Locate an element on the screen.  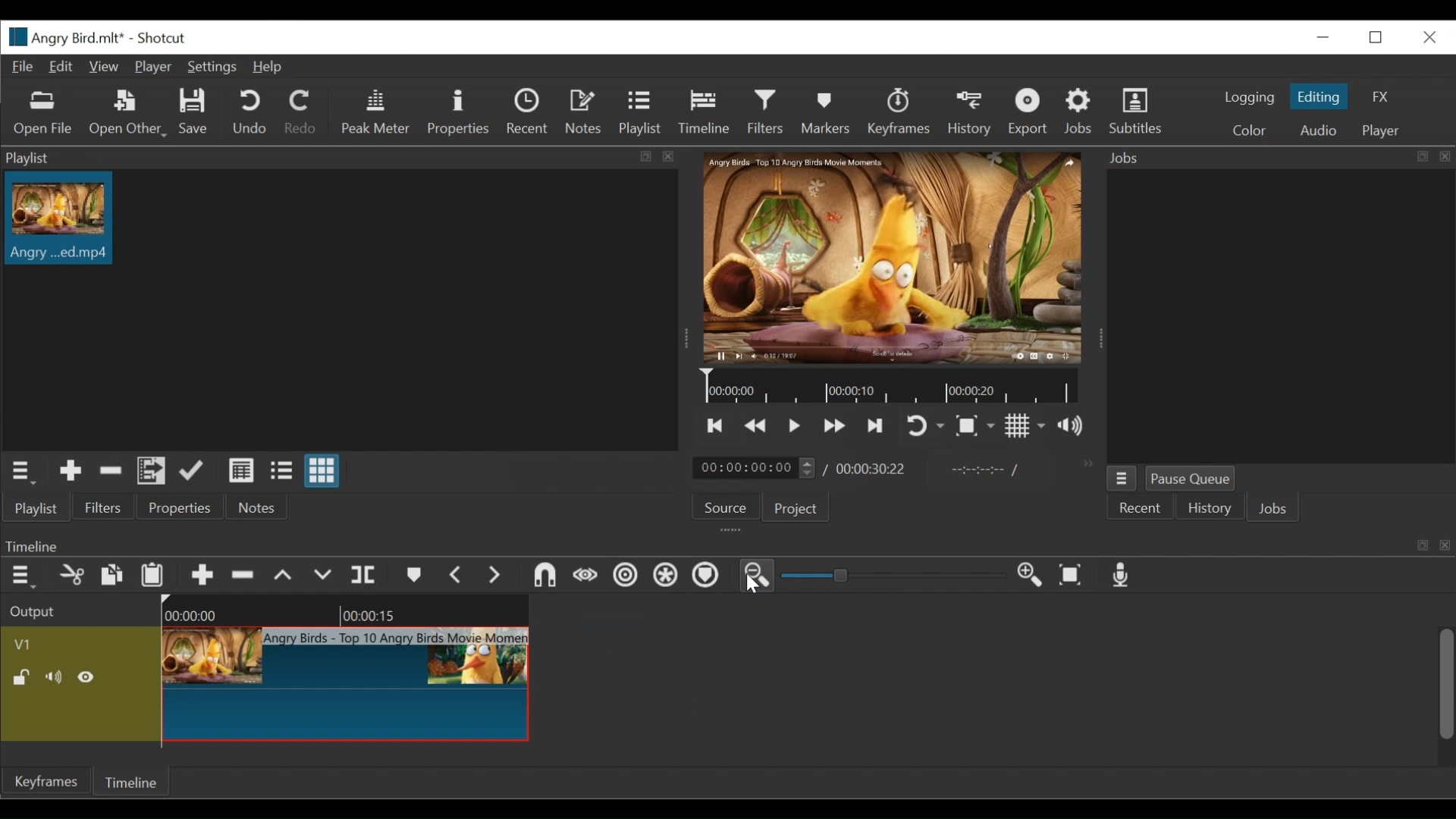
Shotcut is located at coordinates (161, 38).